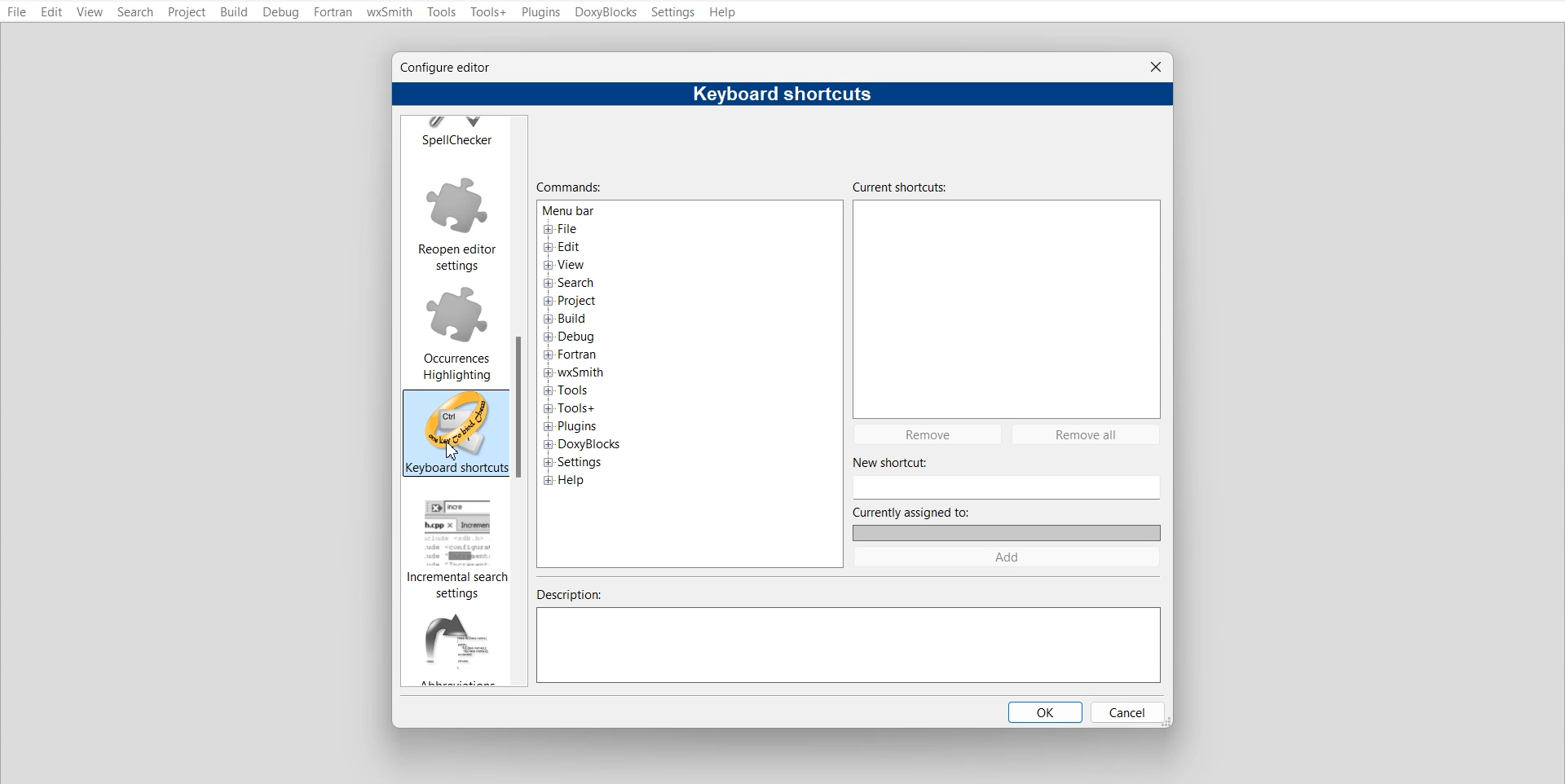 The image size is (1565, 784). What do you see at coordinates (456, 222) in the screenshot?
I see `Reopen editor settings` at bounding box center [456, 222].